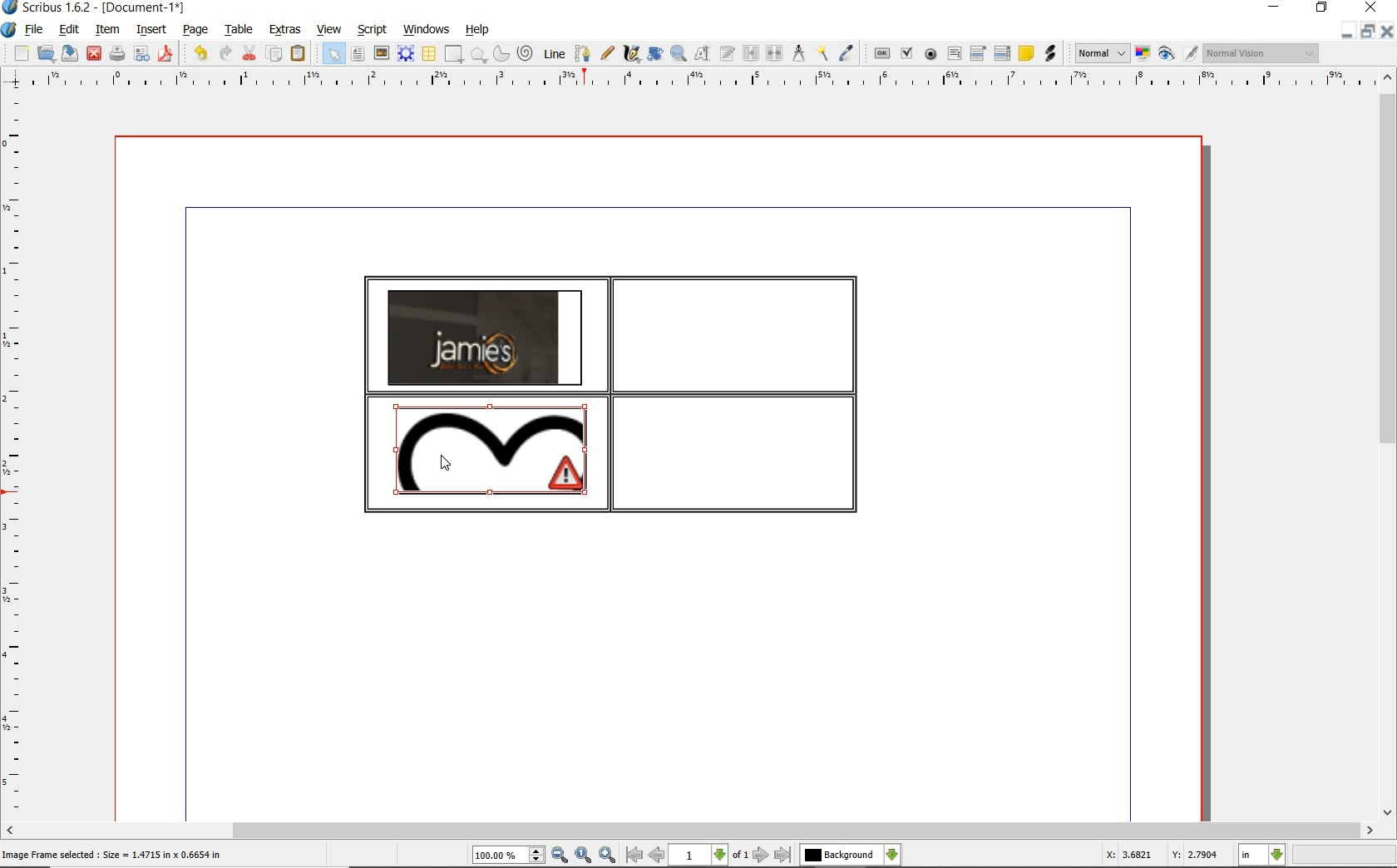  Describe the element at coordinates (16, 455) in the screenshot. I see `ruler` at that location.